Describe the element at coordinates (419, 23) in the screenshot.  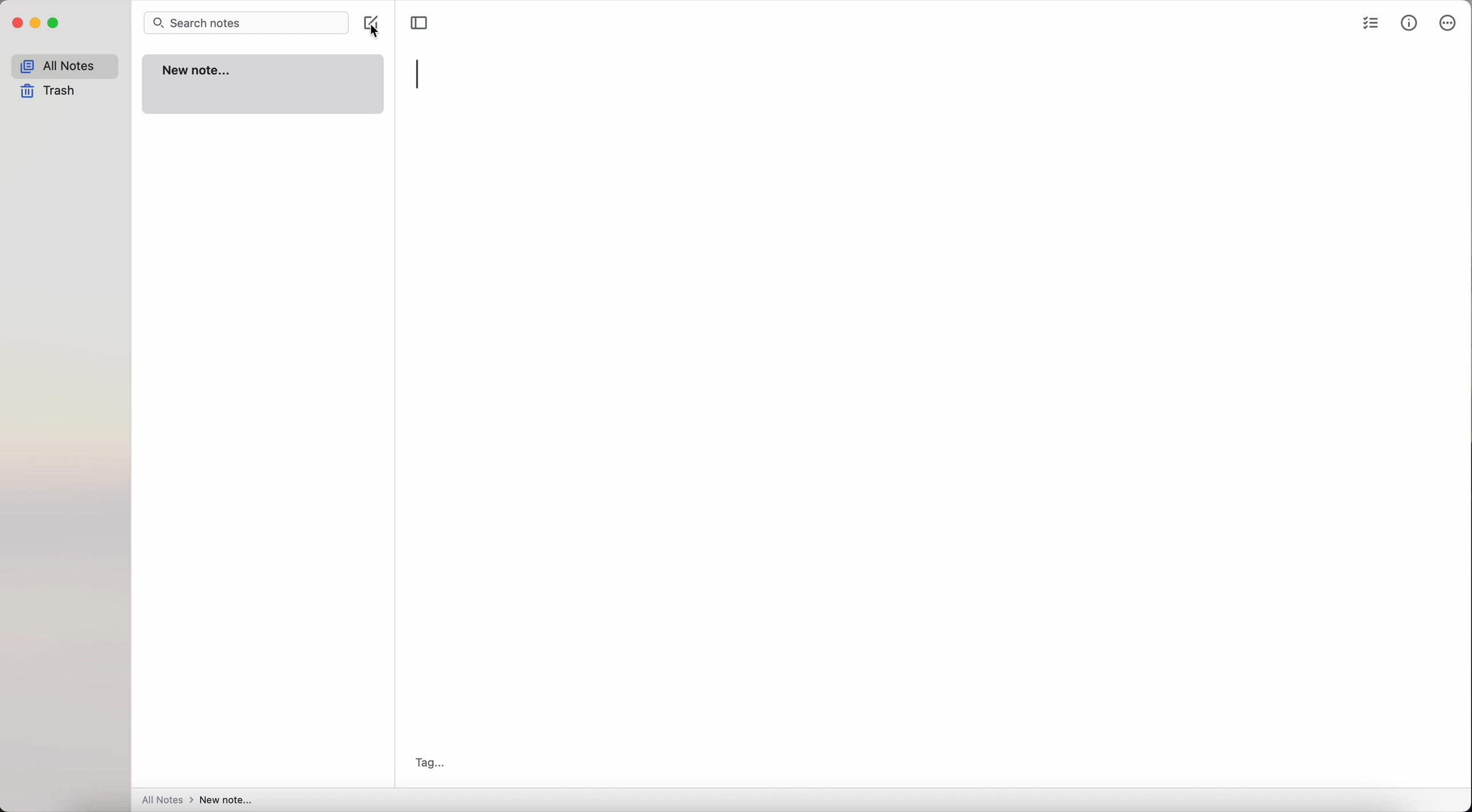
I see `toggle sidebar` at that location.